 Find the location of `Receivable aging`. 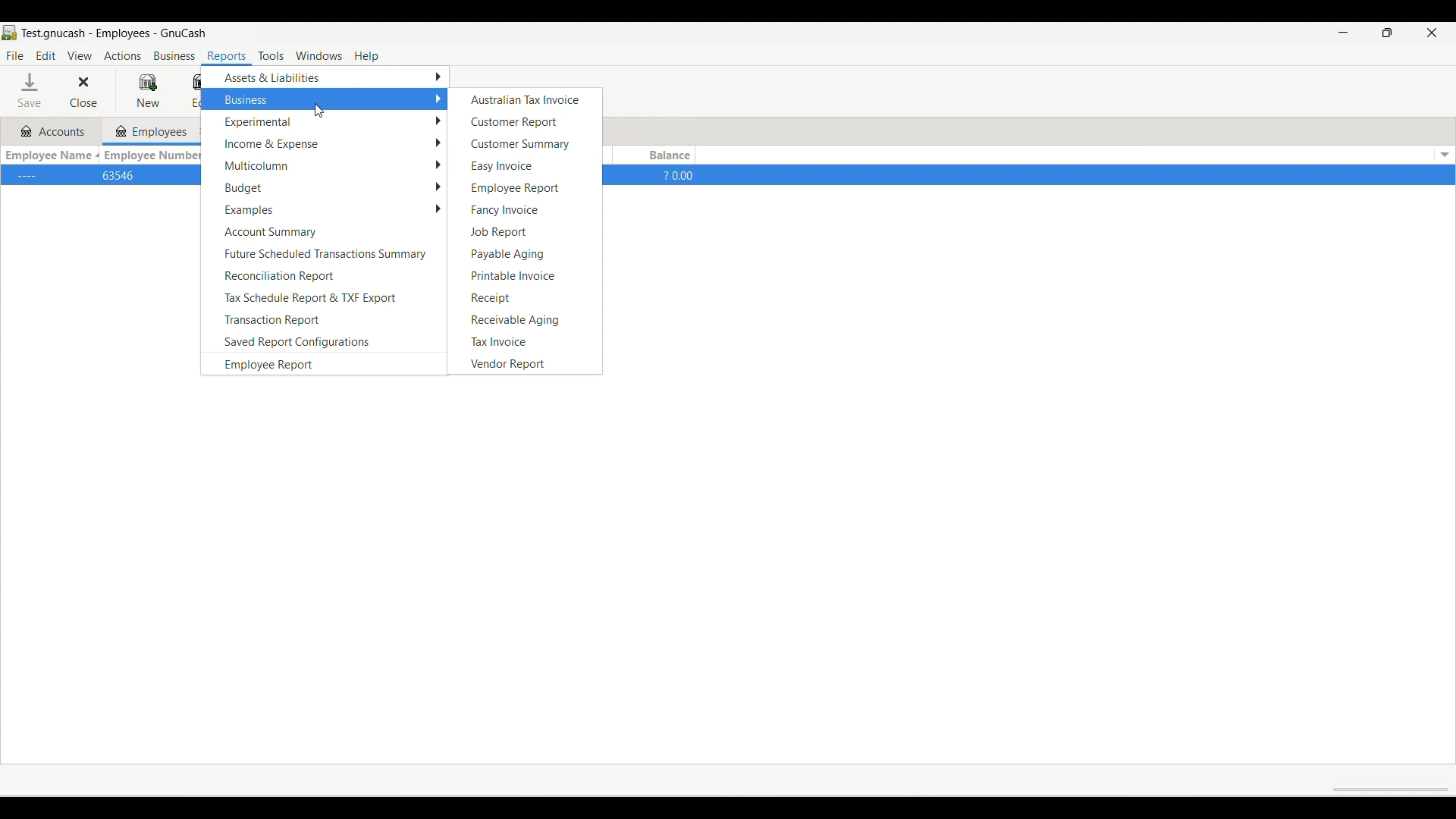

Receivable aging is located at coordinates (524, 320).